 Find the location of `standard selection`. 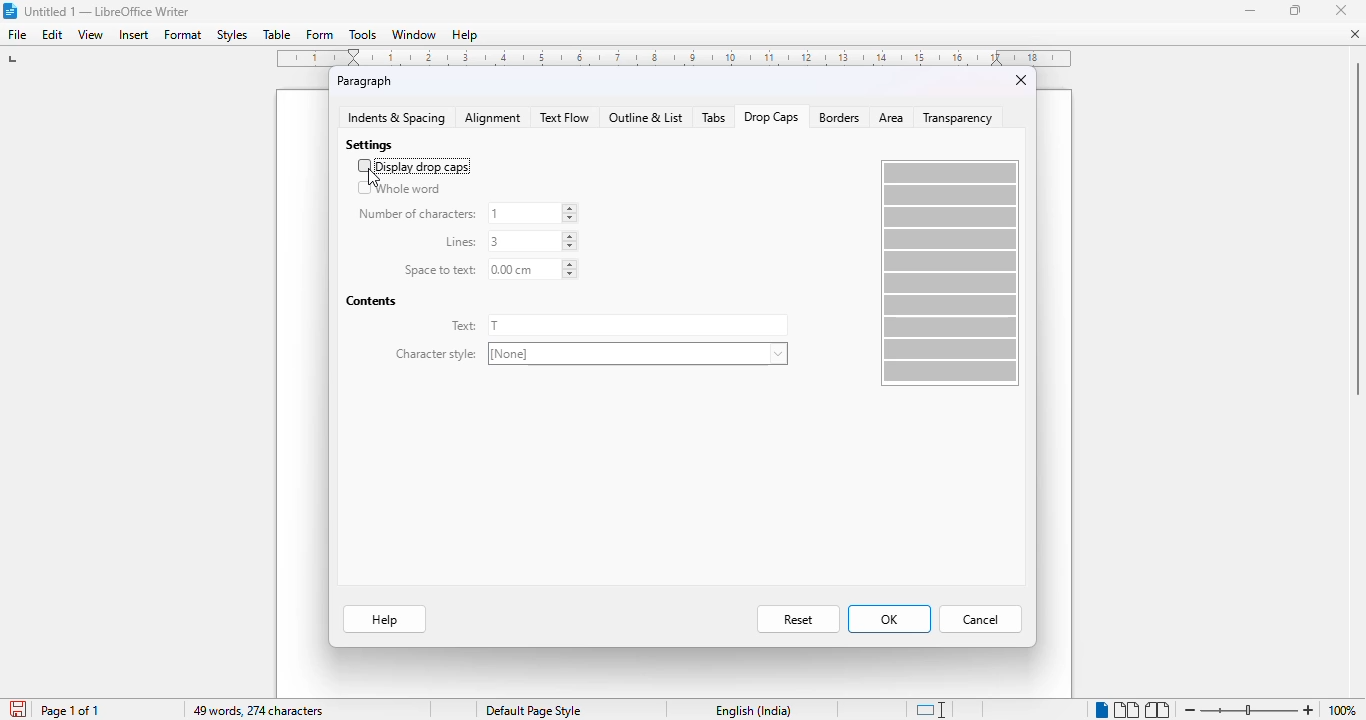

standard selection is located at coordinates (931, 709).